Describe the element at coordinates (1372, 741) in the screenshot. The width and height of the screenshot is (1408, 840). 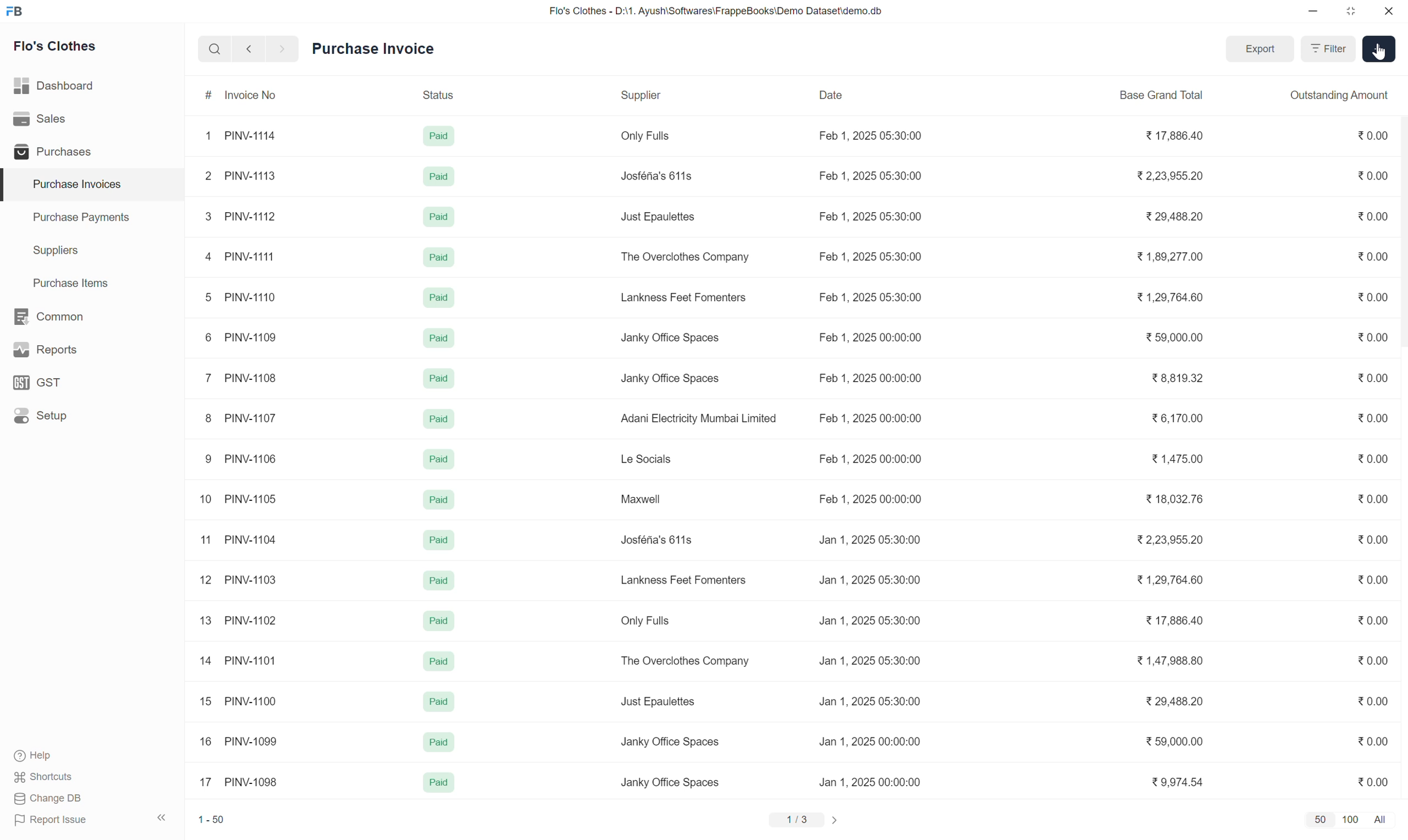
I see `0.00` at that location.